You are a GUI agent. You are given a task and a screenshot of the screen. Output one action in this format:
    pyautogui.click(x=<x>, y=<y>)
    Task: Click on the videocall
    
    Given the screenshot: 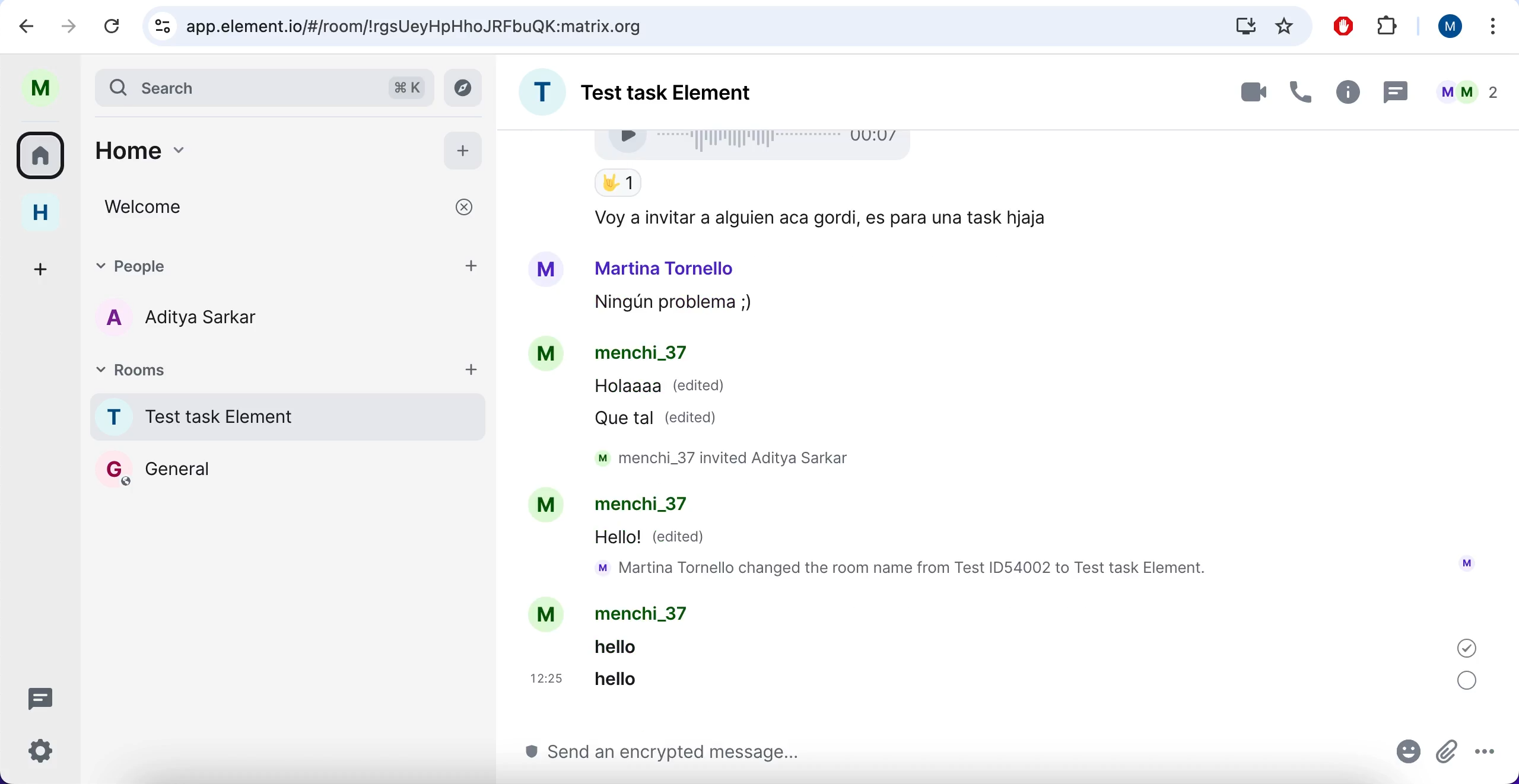 What is the action you would take?
    pyautogui.click(x=1252, y=91)
    